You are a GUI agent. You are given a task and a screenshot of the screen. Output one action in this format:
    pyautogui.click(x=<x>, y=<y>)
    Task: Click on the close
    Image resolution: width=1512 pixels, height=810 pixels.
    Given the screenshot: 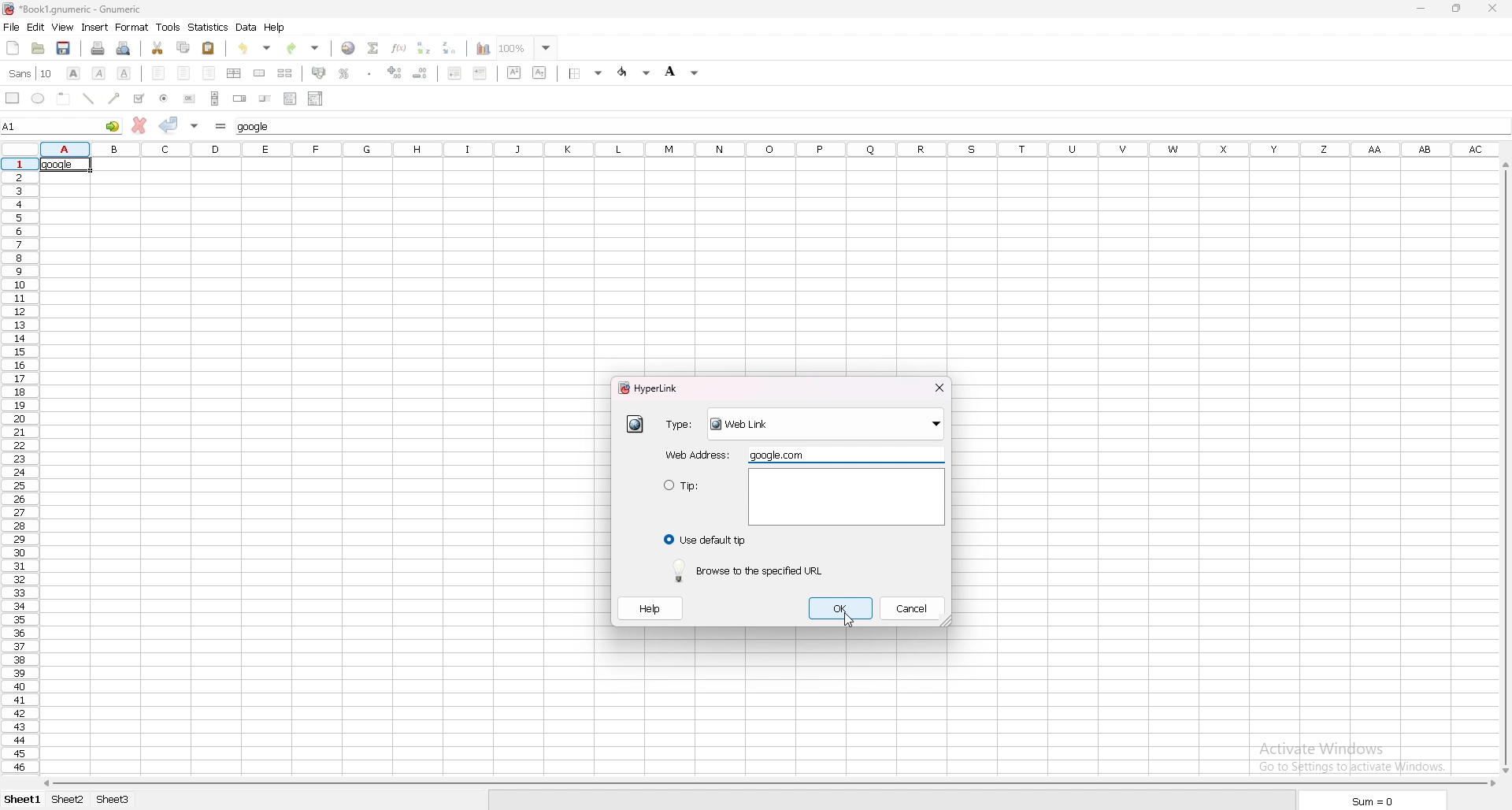 What is the action you would take?
    pyautogui.click(x=1492, y=9)
    